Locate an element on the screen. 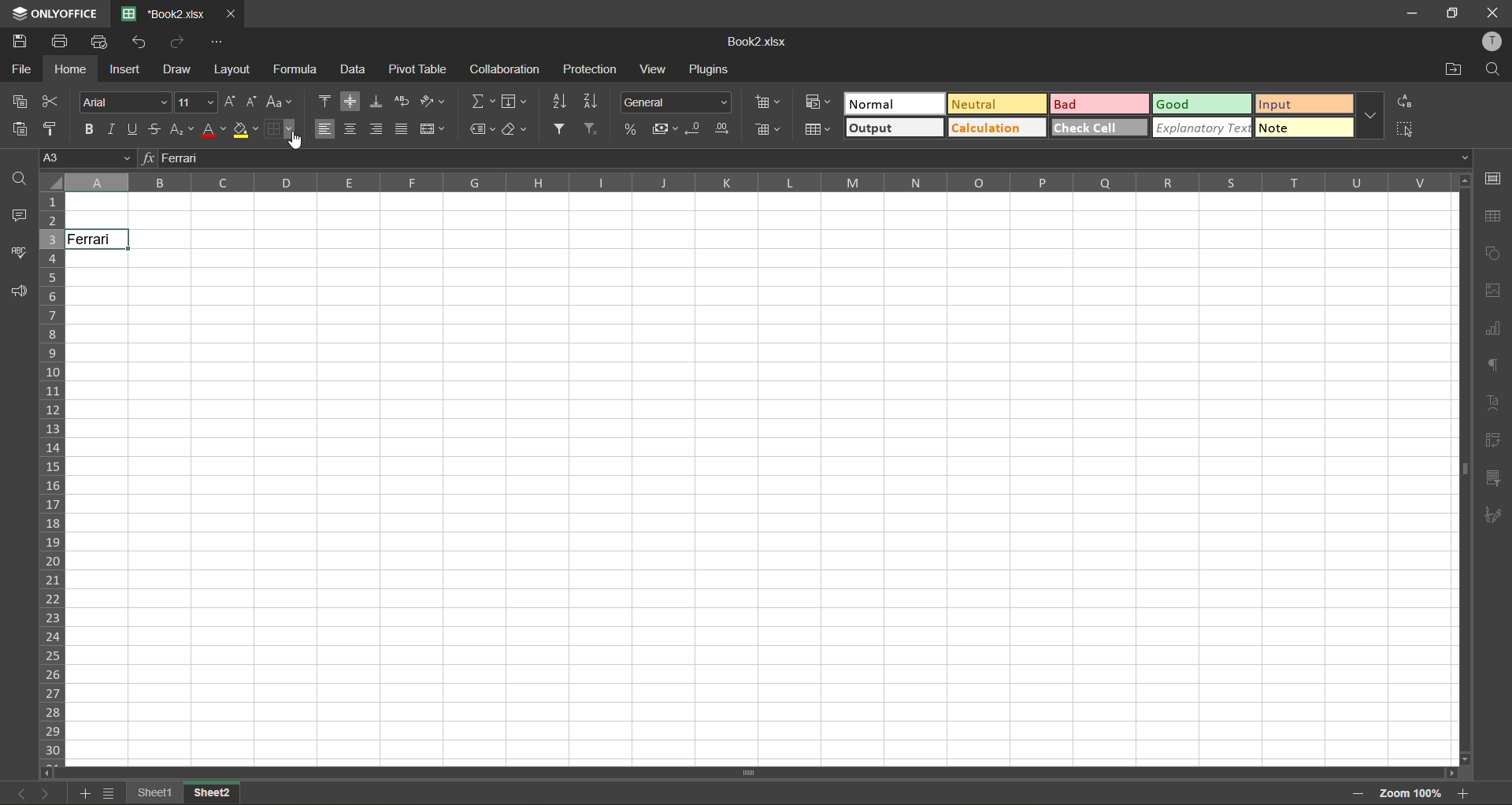 This screenshot has height=805, width=1512. text is located at coordinates (1498, 406).